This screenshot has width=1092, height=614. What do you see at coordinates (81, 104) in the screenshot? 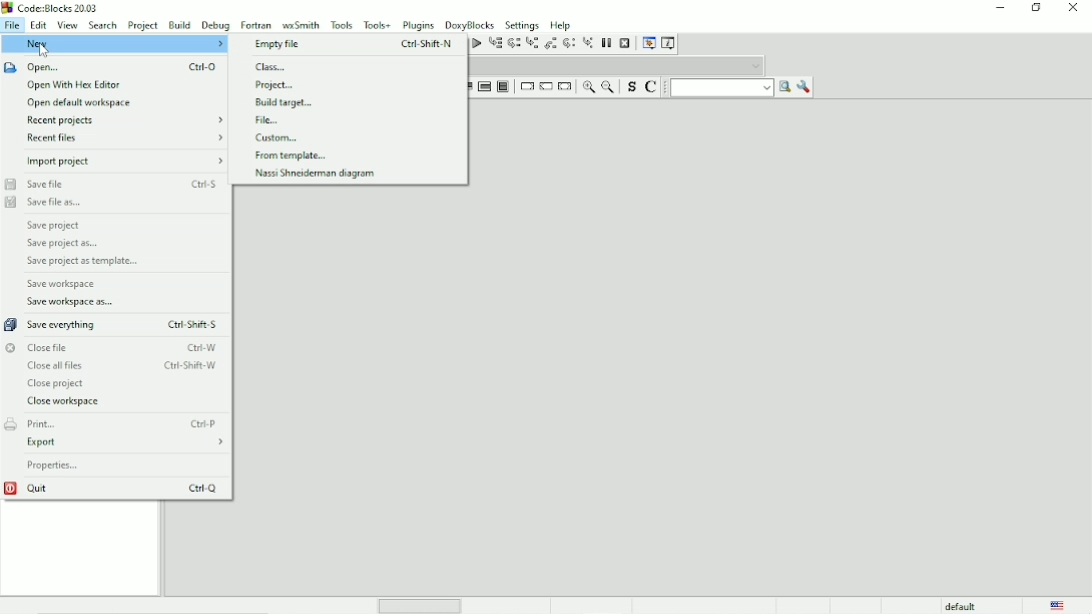
I see `Open default workspace` at bounding box center [81, 104].